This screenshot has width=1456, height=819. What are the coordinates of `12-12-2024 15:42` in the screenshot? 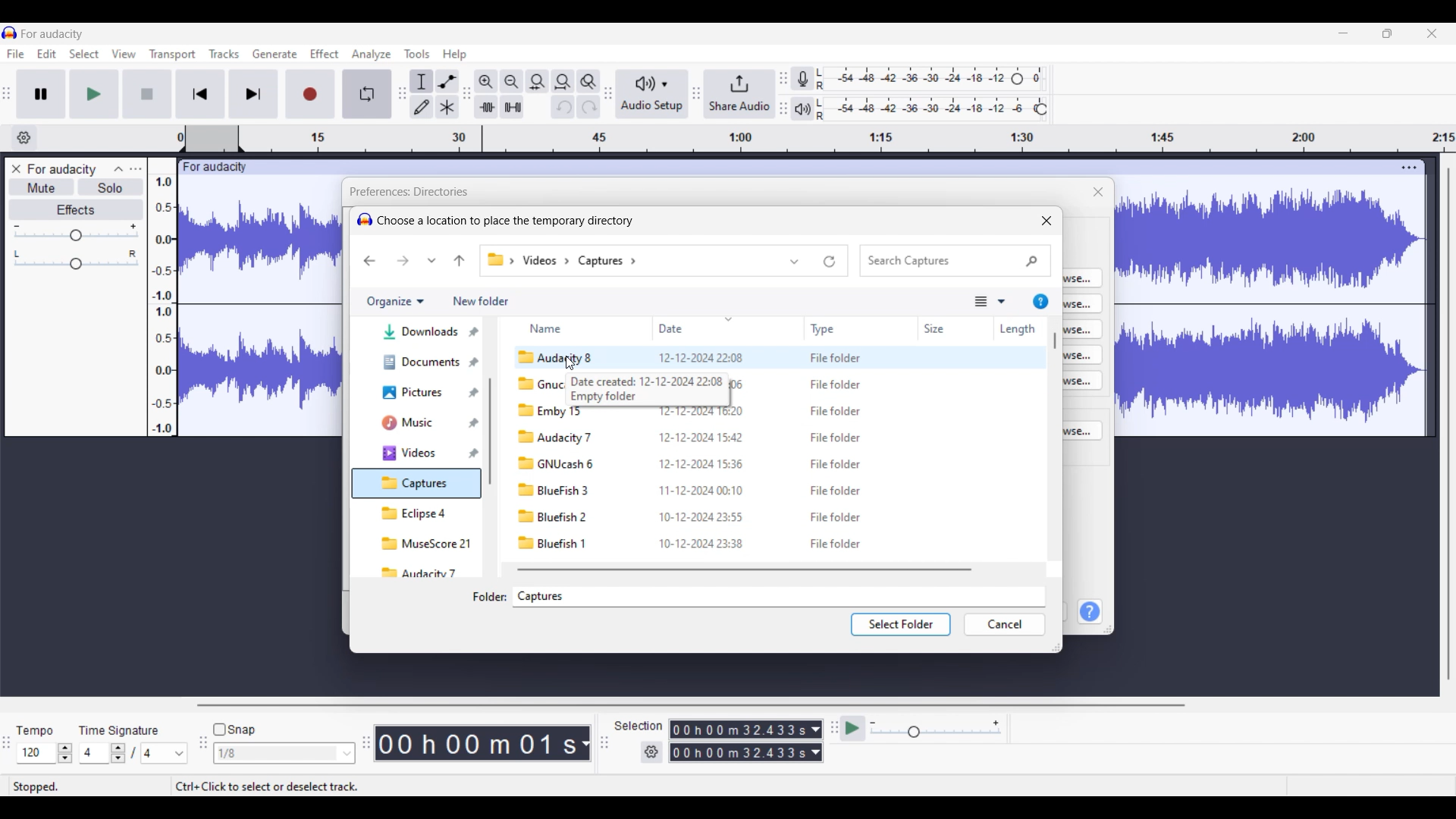 It's located at (701, 437).